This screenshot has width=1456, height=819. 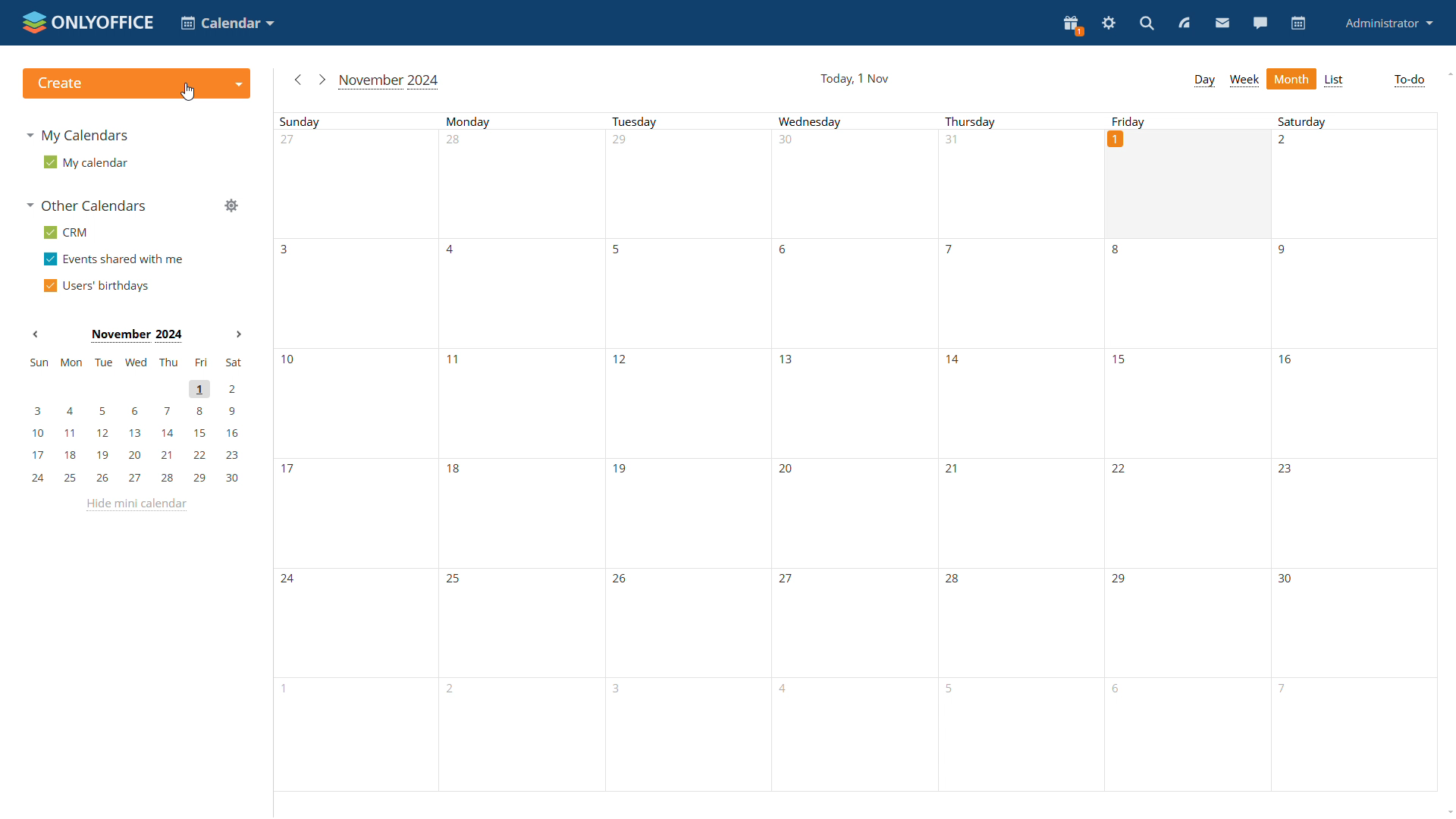 What do you see at coordinates (358, 452) in the screenshot?
I see `Sunday ` at bounding box center [358, 452].